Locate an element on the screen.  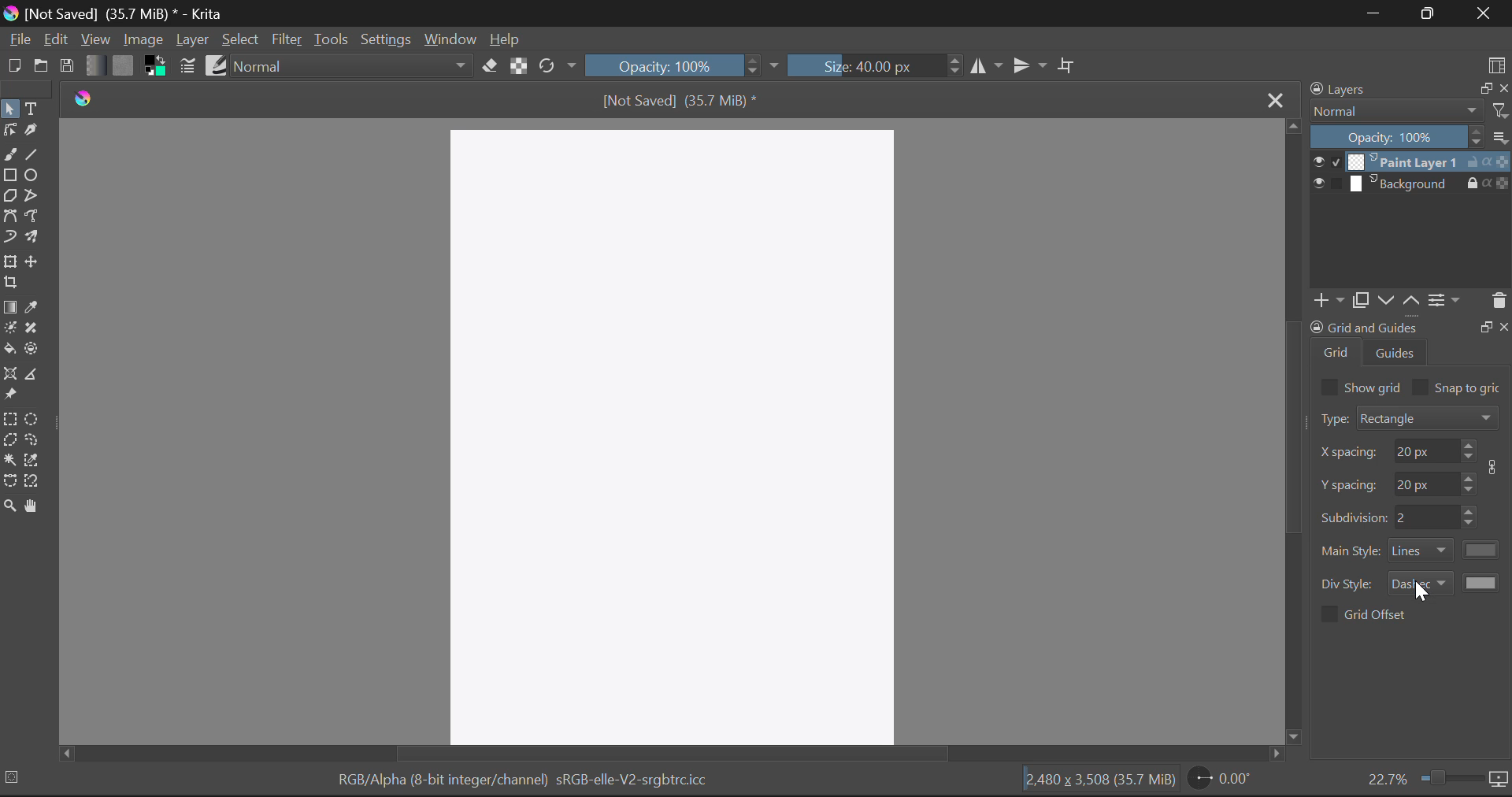
Window is located at coordinates (449, 40).